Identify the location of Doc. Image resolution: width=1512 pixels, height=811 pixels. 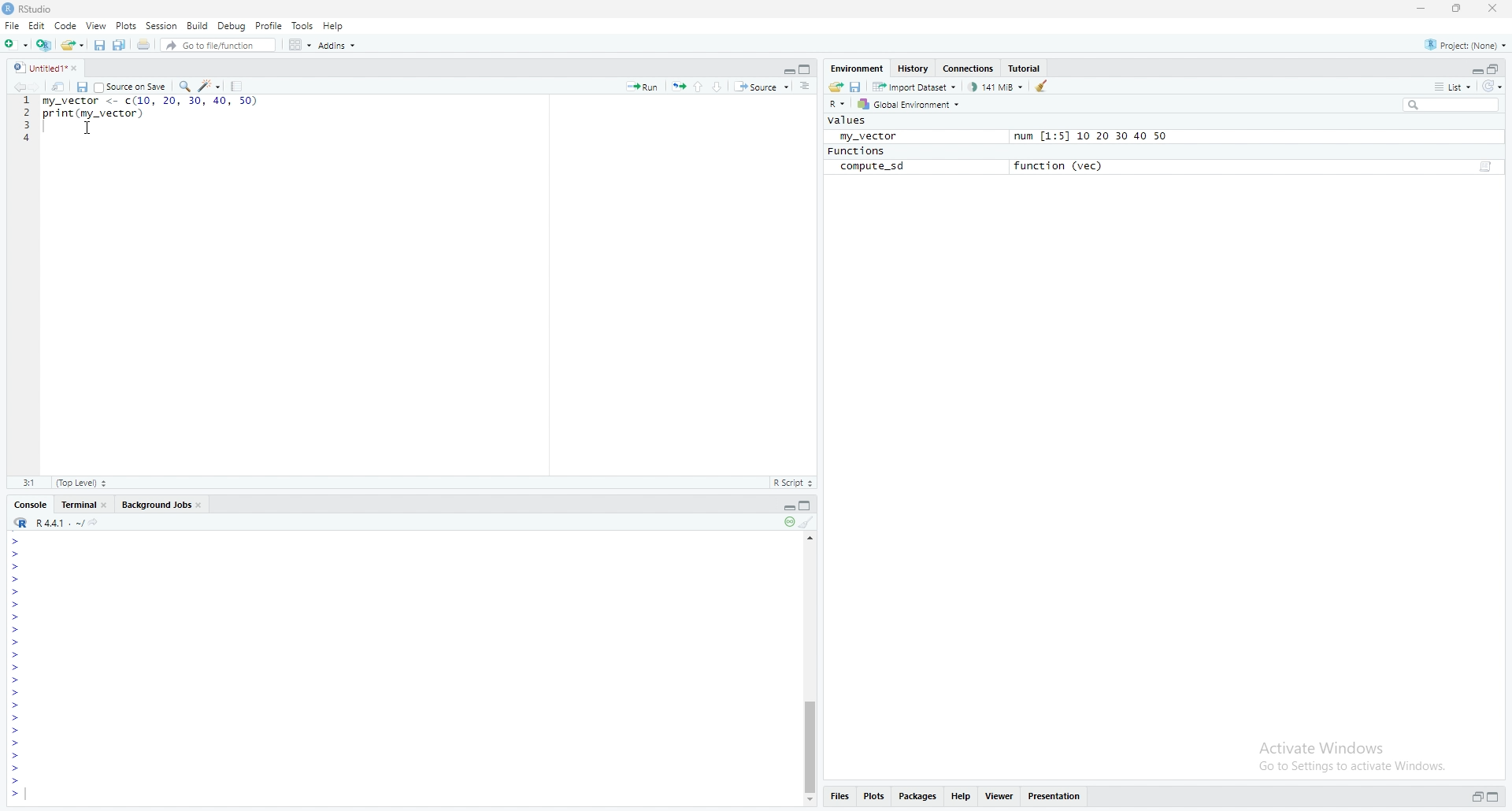
(1484, 168).